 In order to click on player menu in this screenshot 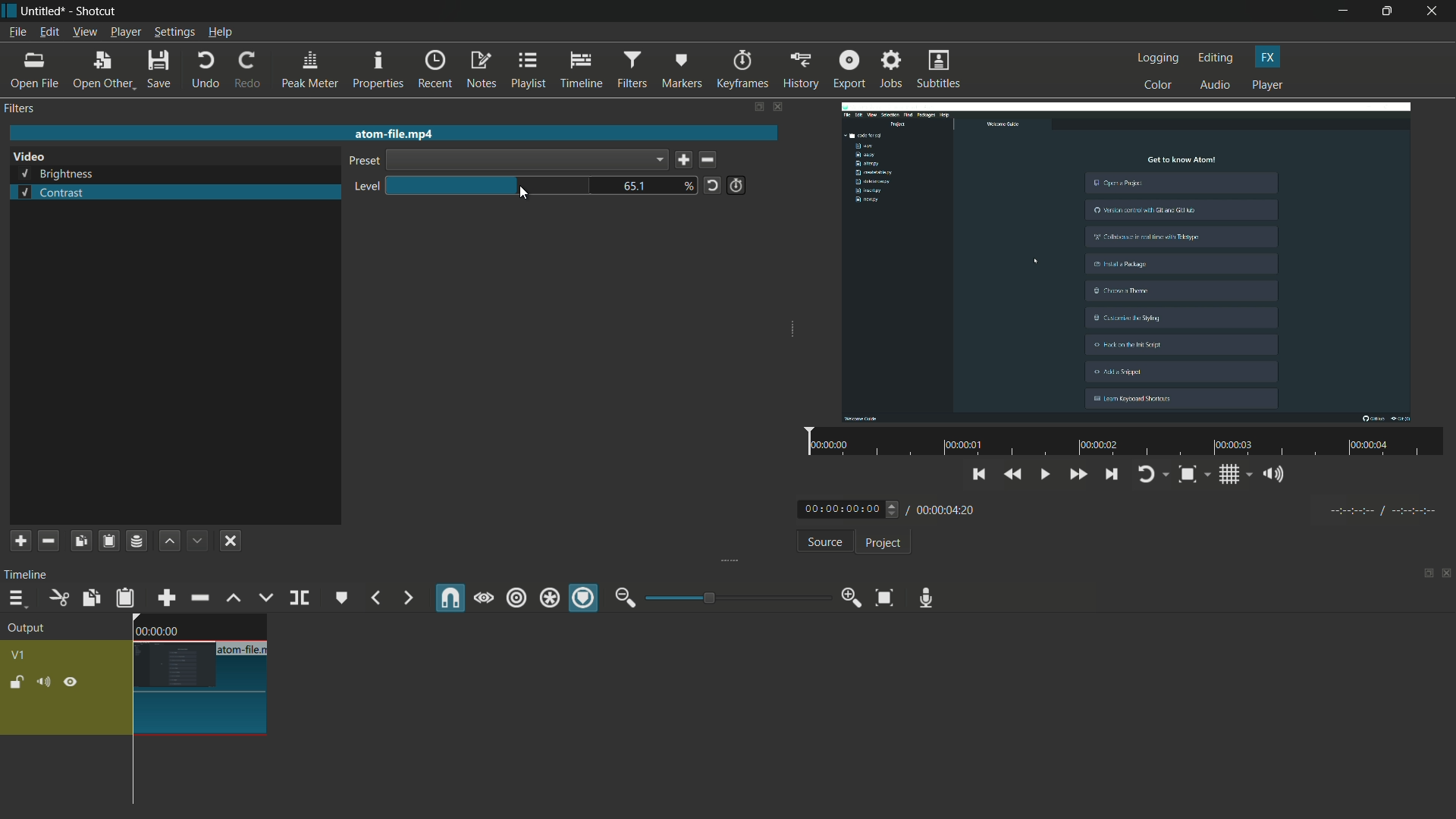, I will do `click(127, 32)`.